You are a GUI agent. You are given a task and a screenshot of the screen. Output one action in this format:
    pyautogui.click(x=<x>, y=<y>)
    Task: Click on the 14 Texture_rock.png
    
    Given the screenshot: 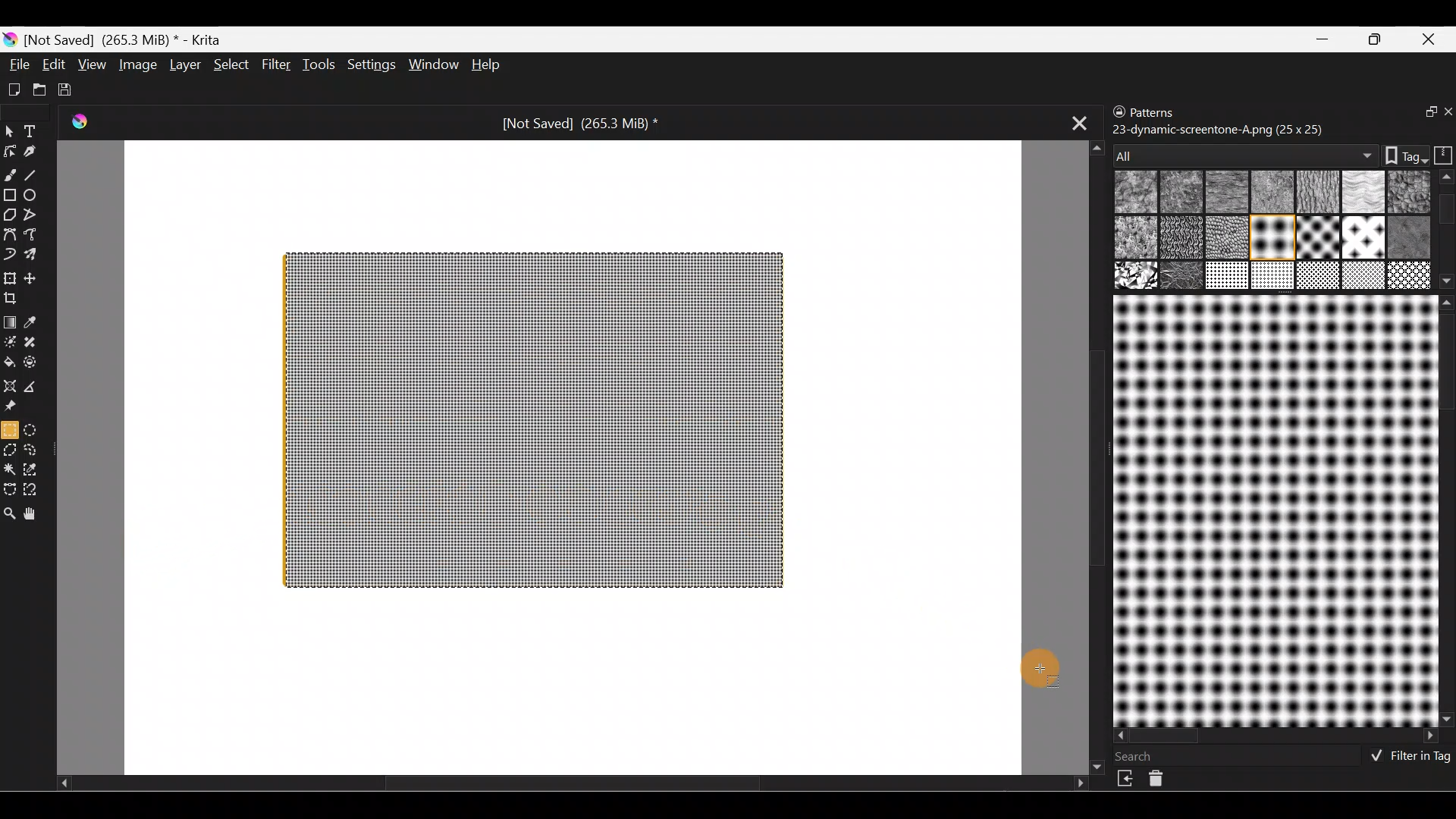 What is the action you would take?
    pyautogui.click(x=1137, y=277)
    